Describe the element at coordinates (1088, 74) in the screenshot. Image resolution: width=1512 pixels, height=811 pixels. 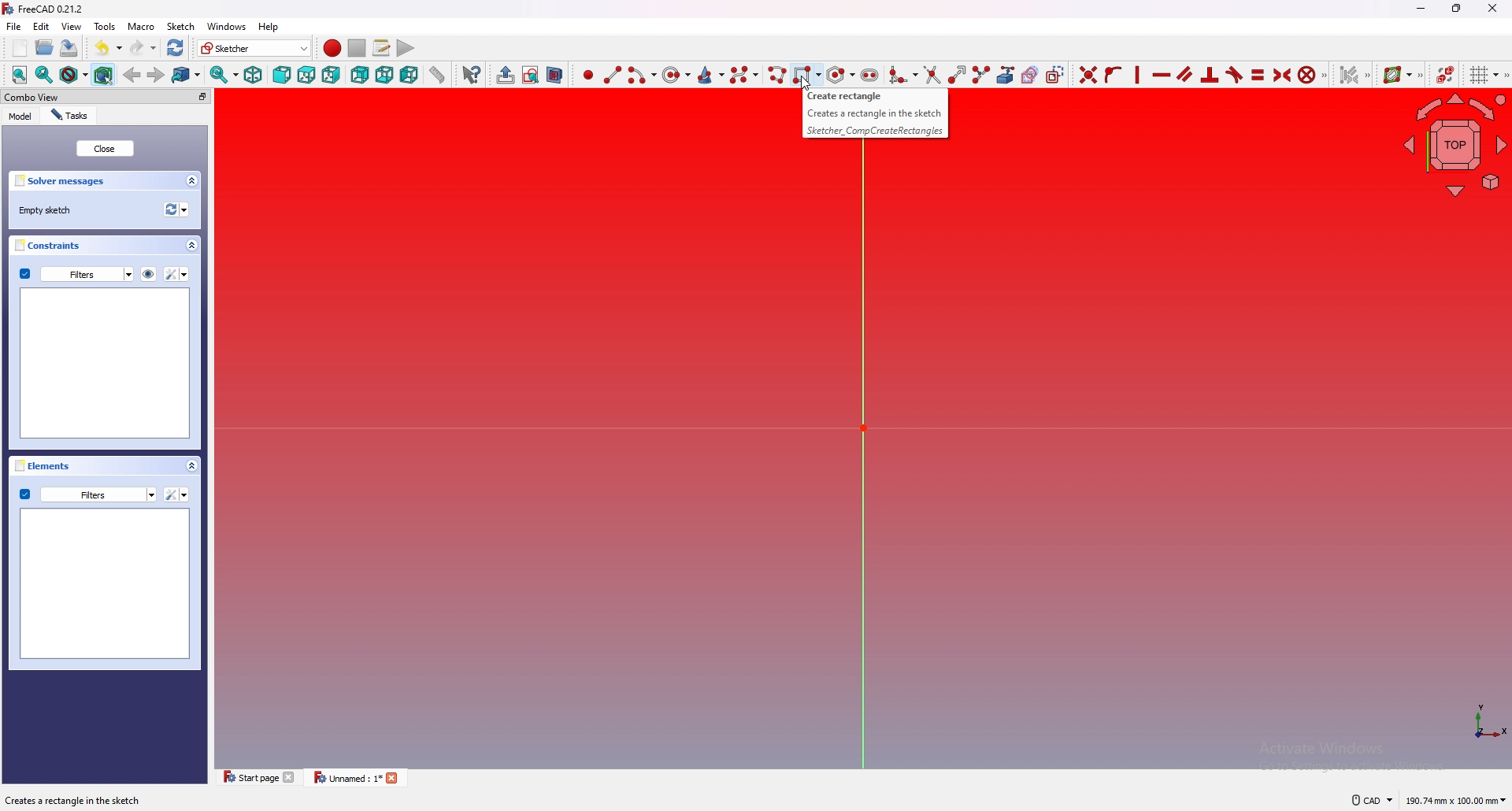
I see `constraint coincident` at that location.